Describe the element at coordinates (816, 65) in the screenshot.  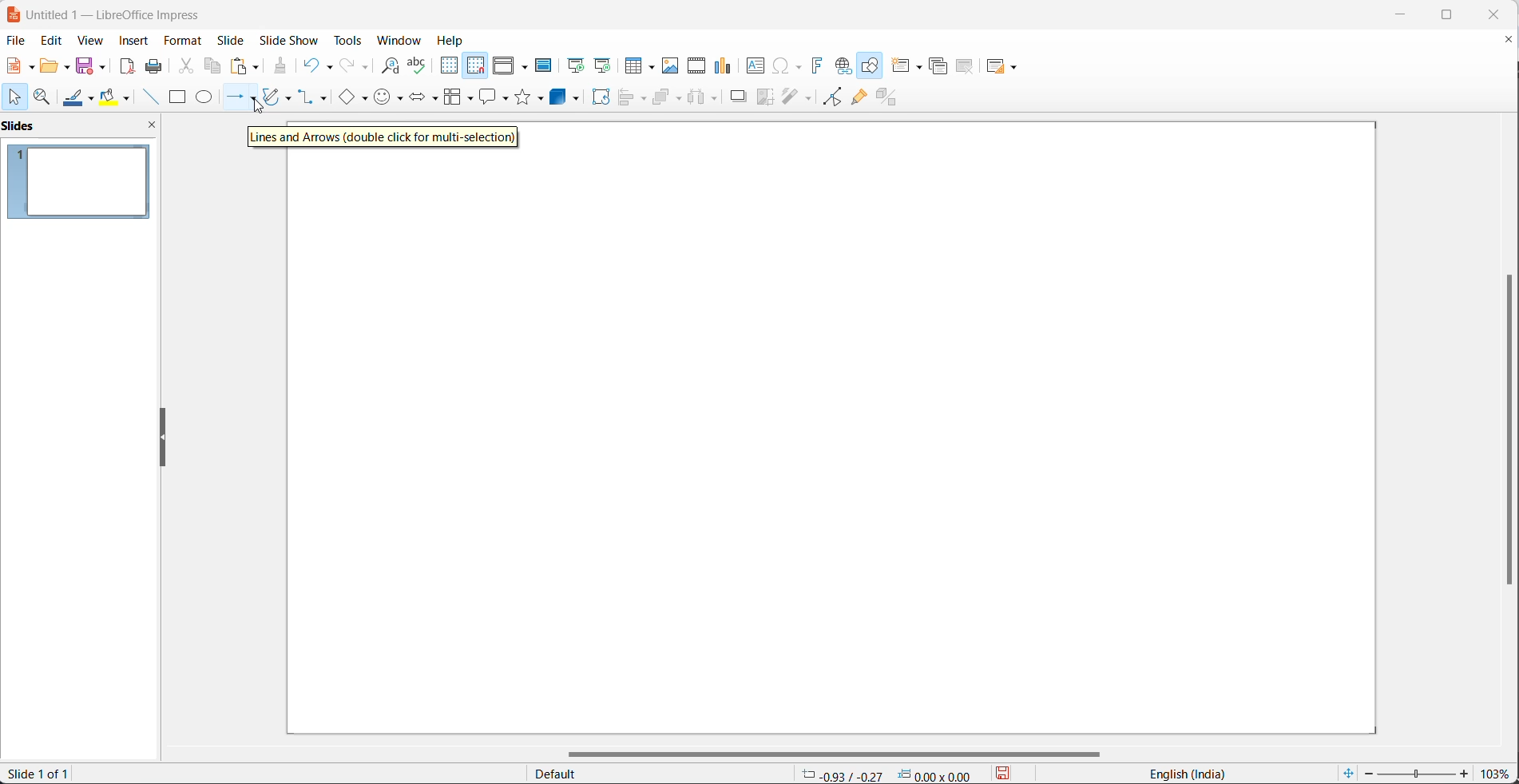
I see `insert fontwork text` at that location.